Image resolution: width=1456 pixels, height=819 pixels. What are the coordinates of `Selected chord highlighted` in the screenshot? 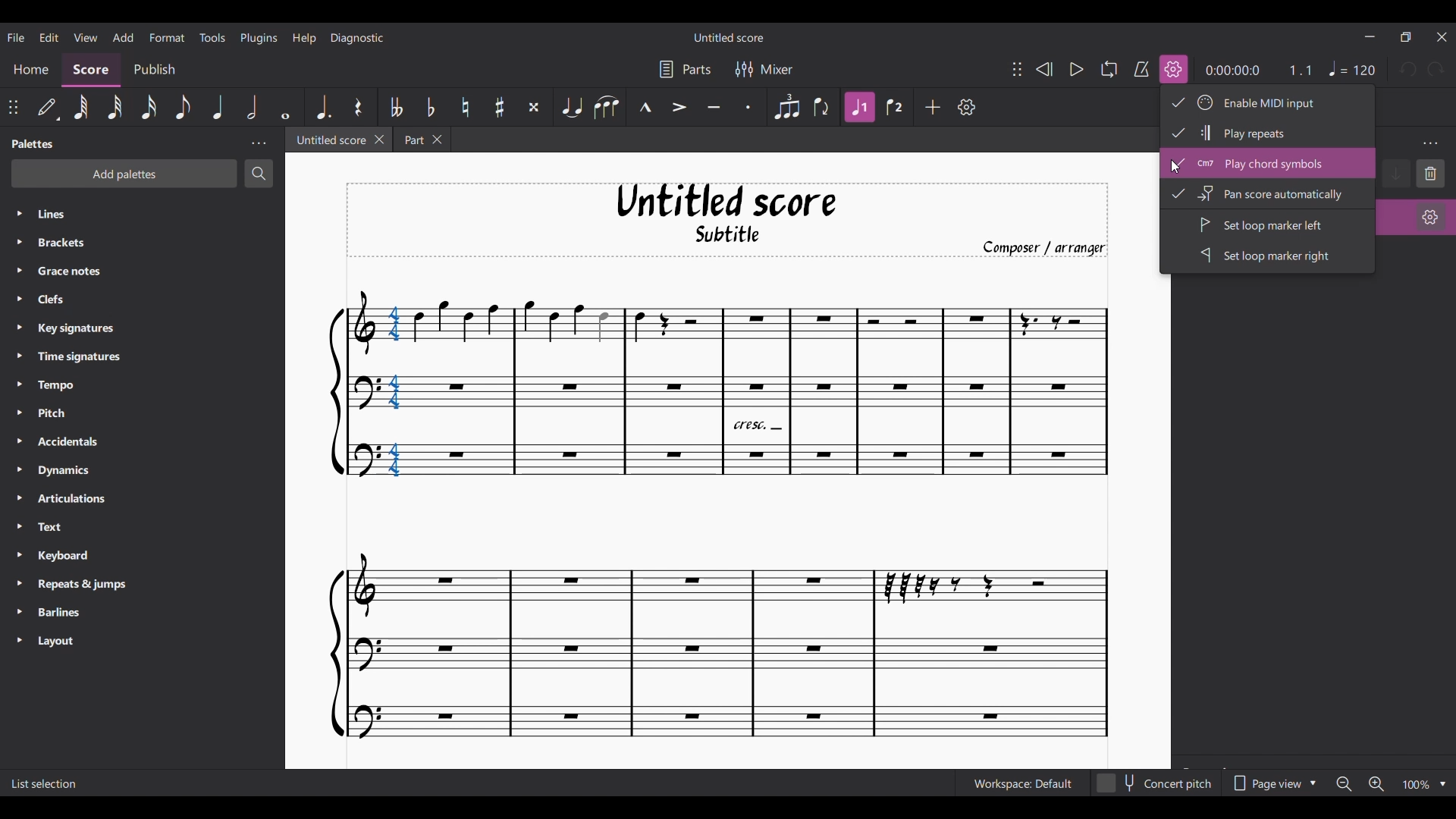 It's located at (406, 394).